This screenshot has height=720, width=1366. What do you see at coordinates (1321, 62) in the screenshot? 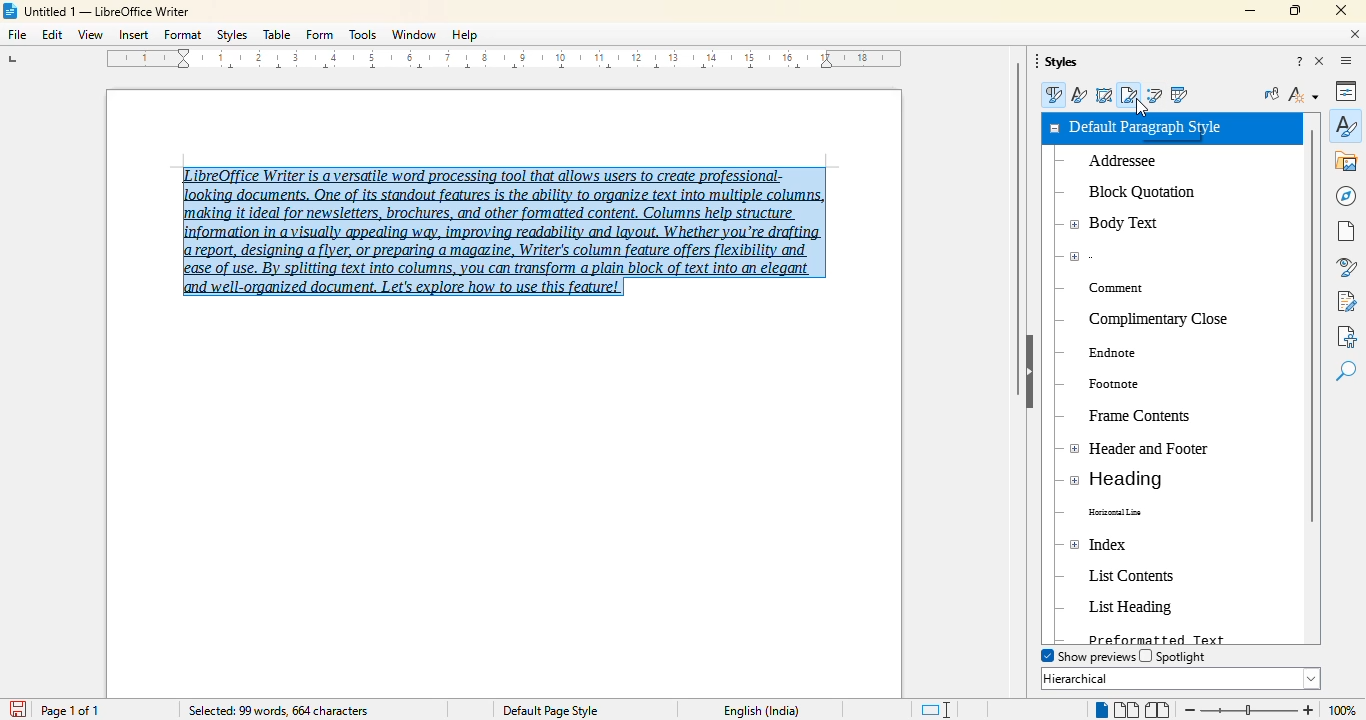
I see `close sidebar deck` at bounding box center [1321, 62].